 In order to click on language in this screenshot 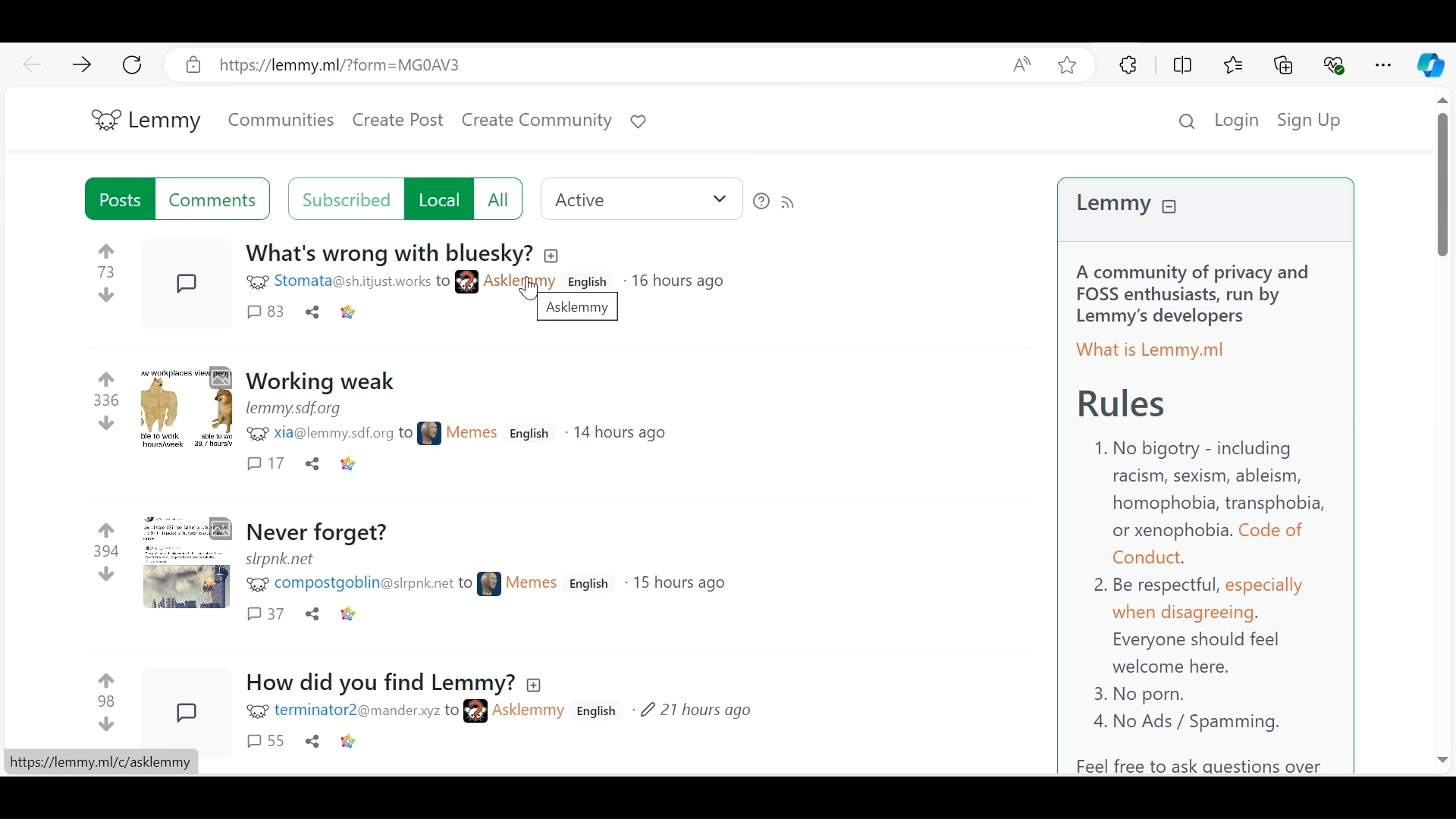, I will do `click(590, 584)`.